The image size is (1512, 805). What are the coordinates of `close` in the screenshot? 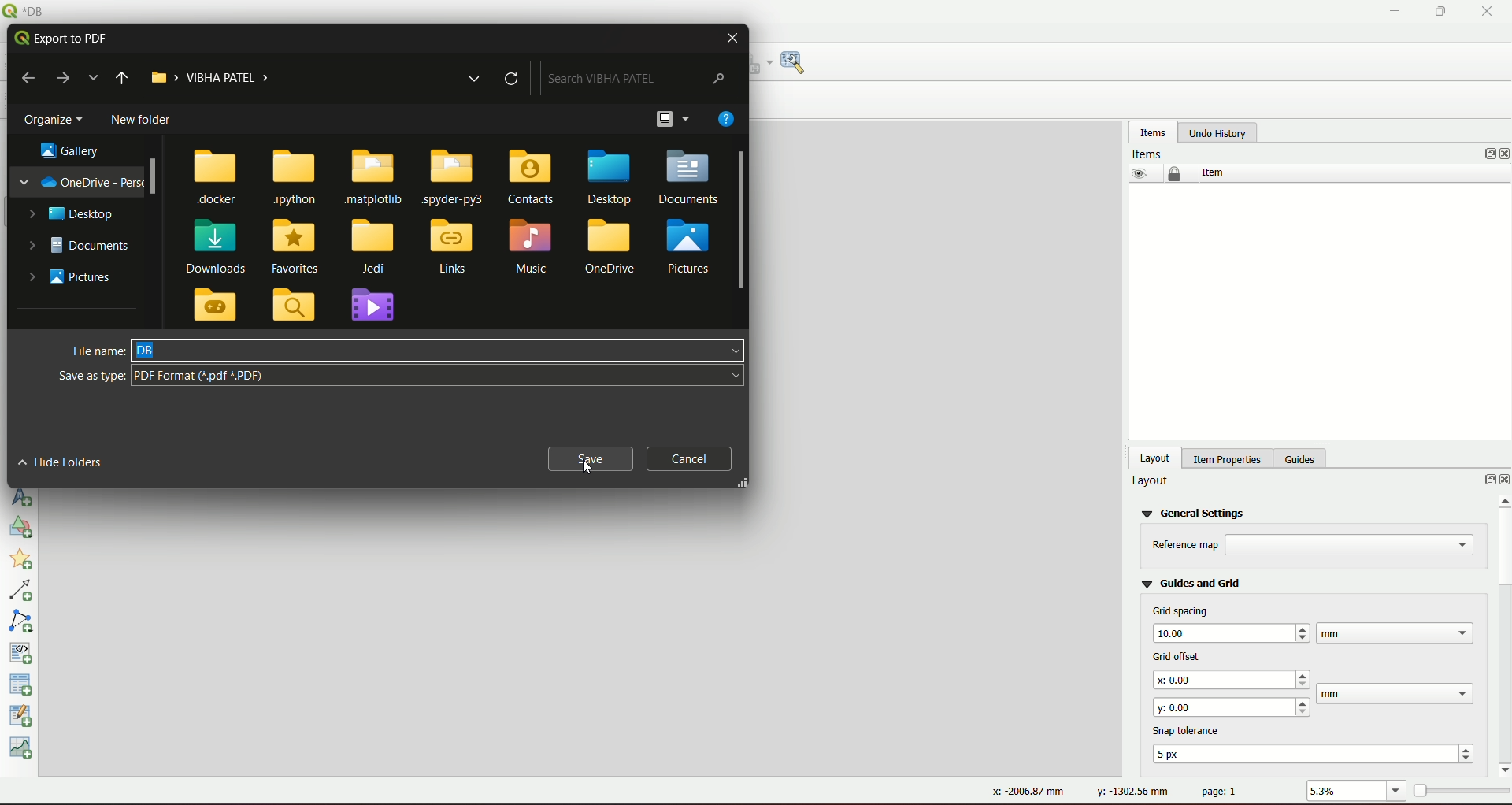 It's located at (1503, 154).